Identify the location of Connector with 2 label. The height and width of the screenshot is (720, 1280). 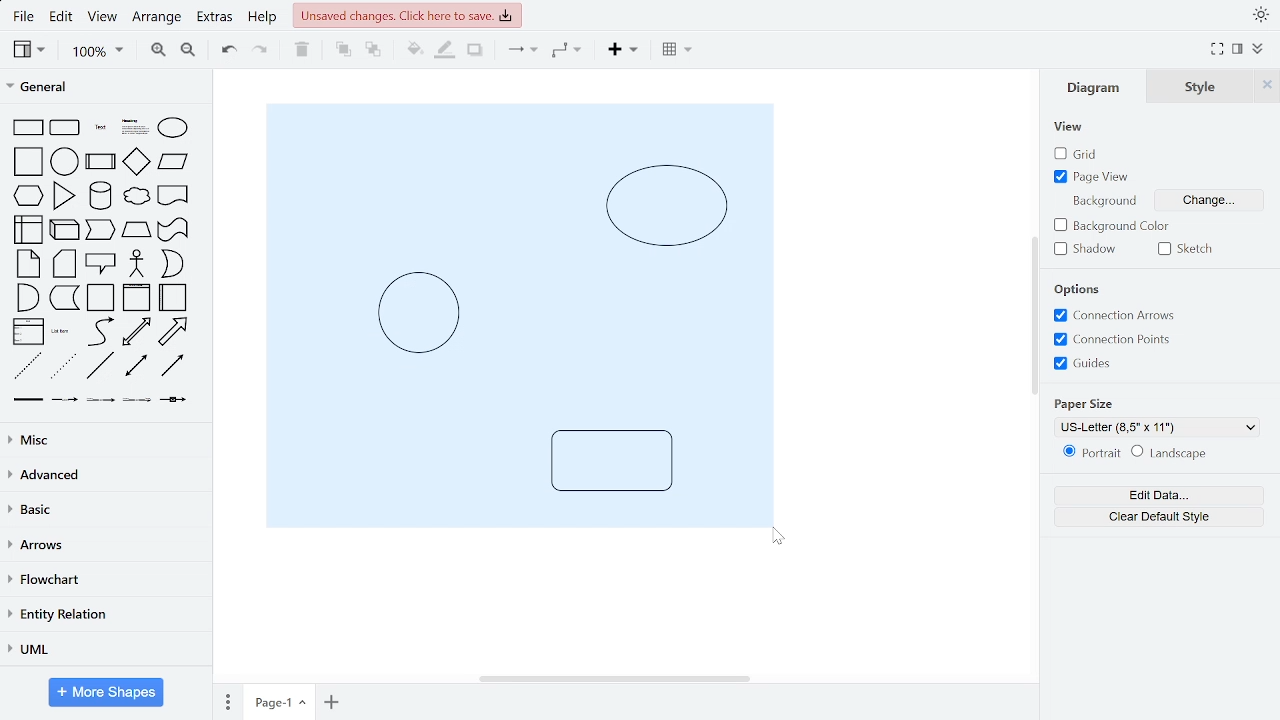
(101, 404).